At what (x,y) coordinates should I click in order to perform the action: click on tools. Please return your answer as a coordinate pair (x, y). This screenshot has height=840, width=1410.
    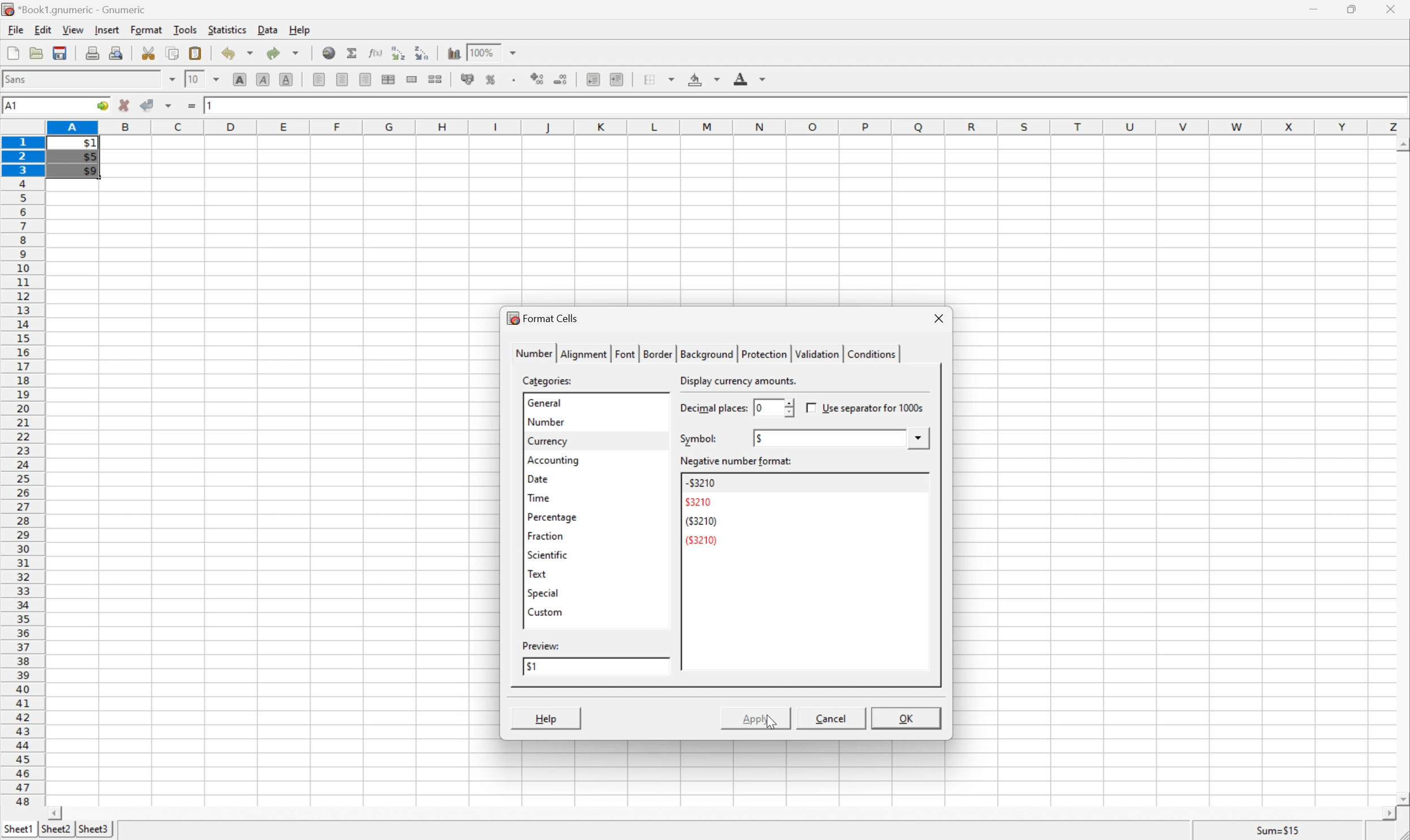
    Looking at the image, I should click on (186, 29).